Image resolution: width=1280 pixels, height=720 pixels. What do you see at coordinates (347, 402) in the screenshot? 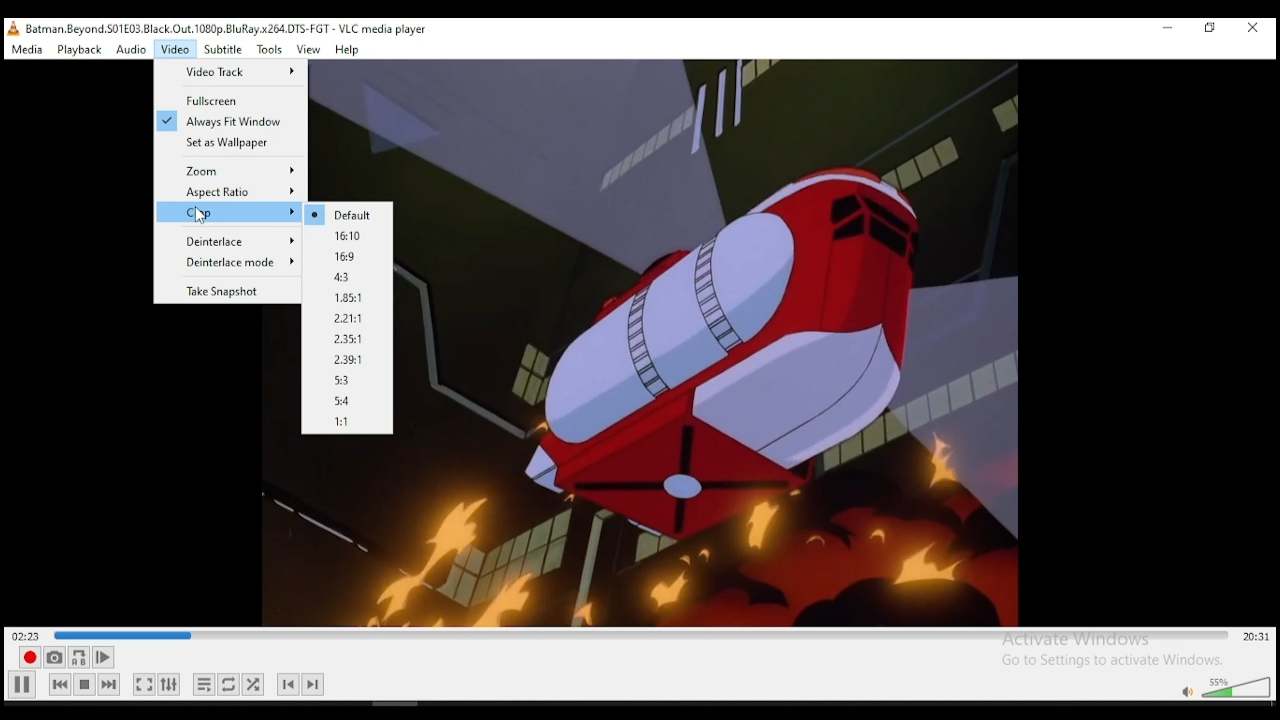
I see `5:4` at bounding box center [347, 402].